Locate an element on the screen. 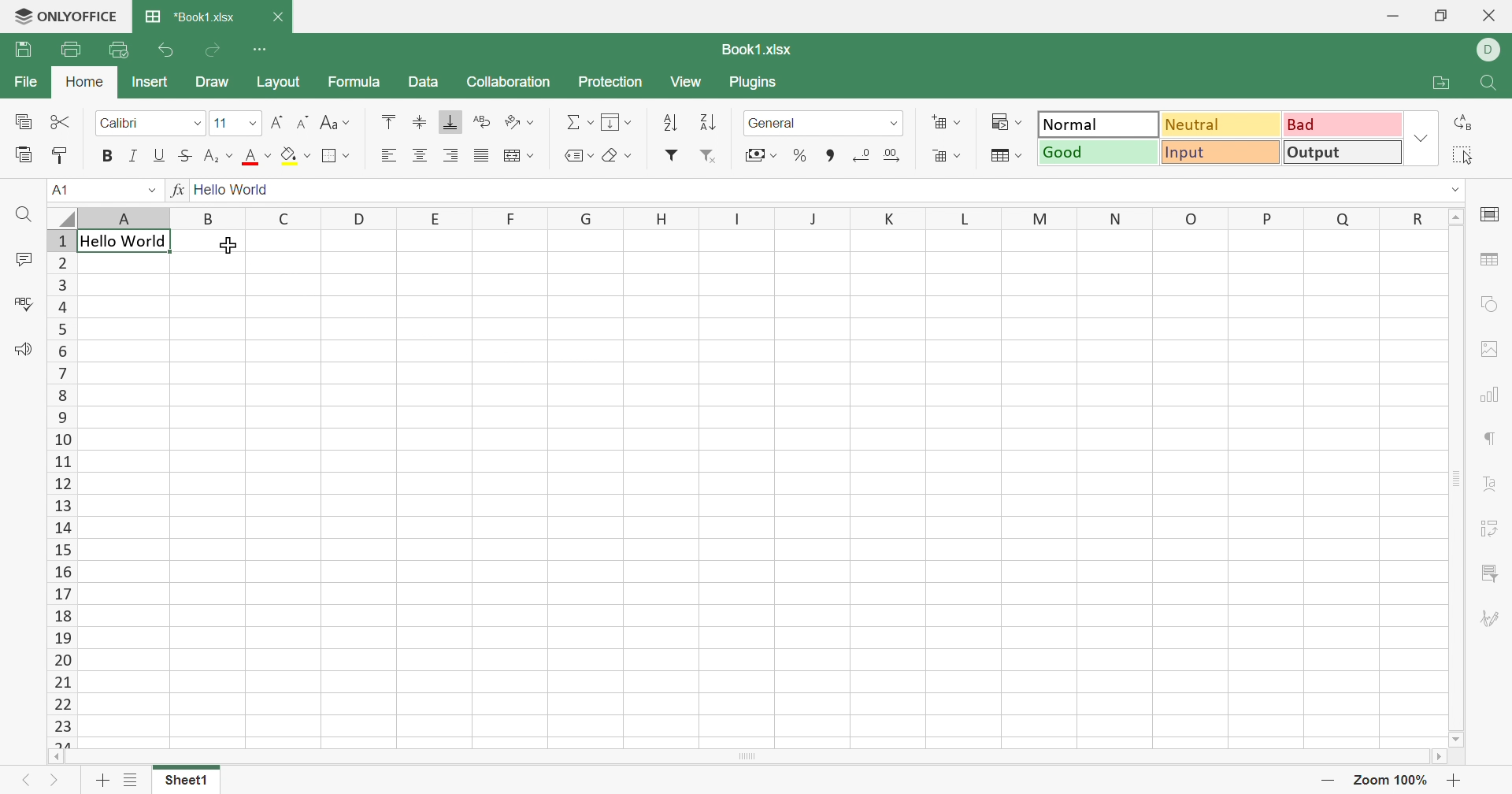 The image size is (1512, 794). shape settings is located at coordinates (1489, 304).